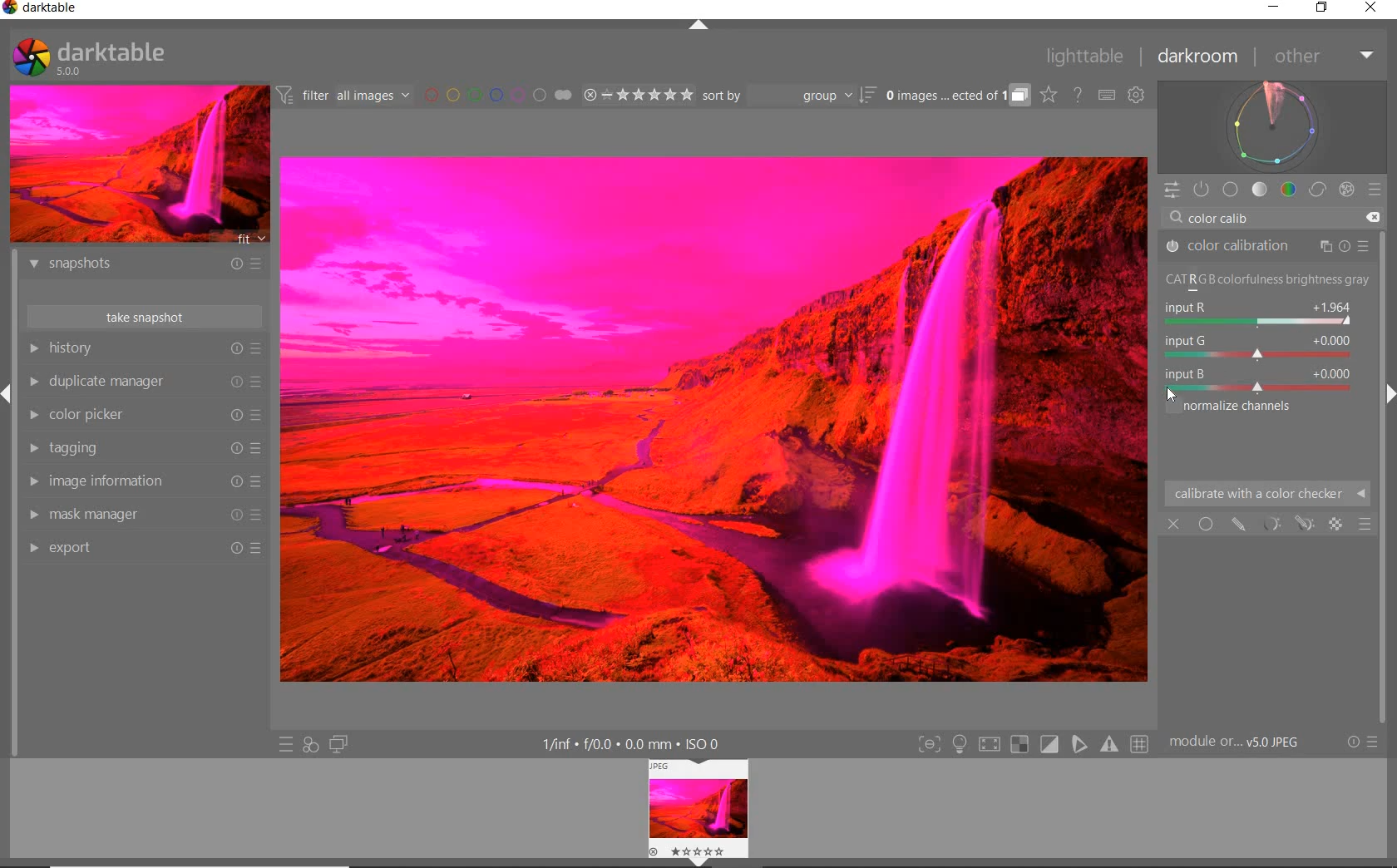 The width and height of the screenshot is (1397, 868). I want to click on NORMALIZE CHANNELS, so click(1266, 282).